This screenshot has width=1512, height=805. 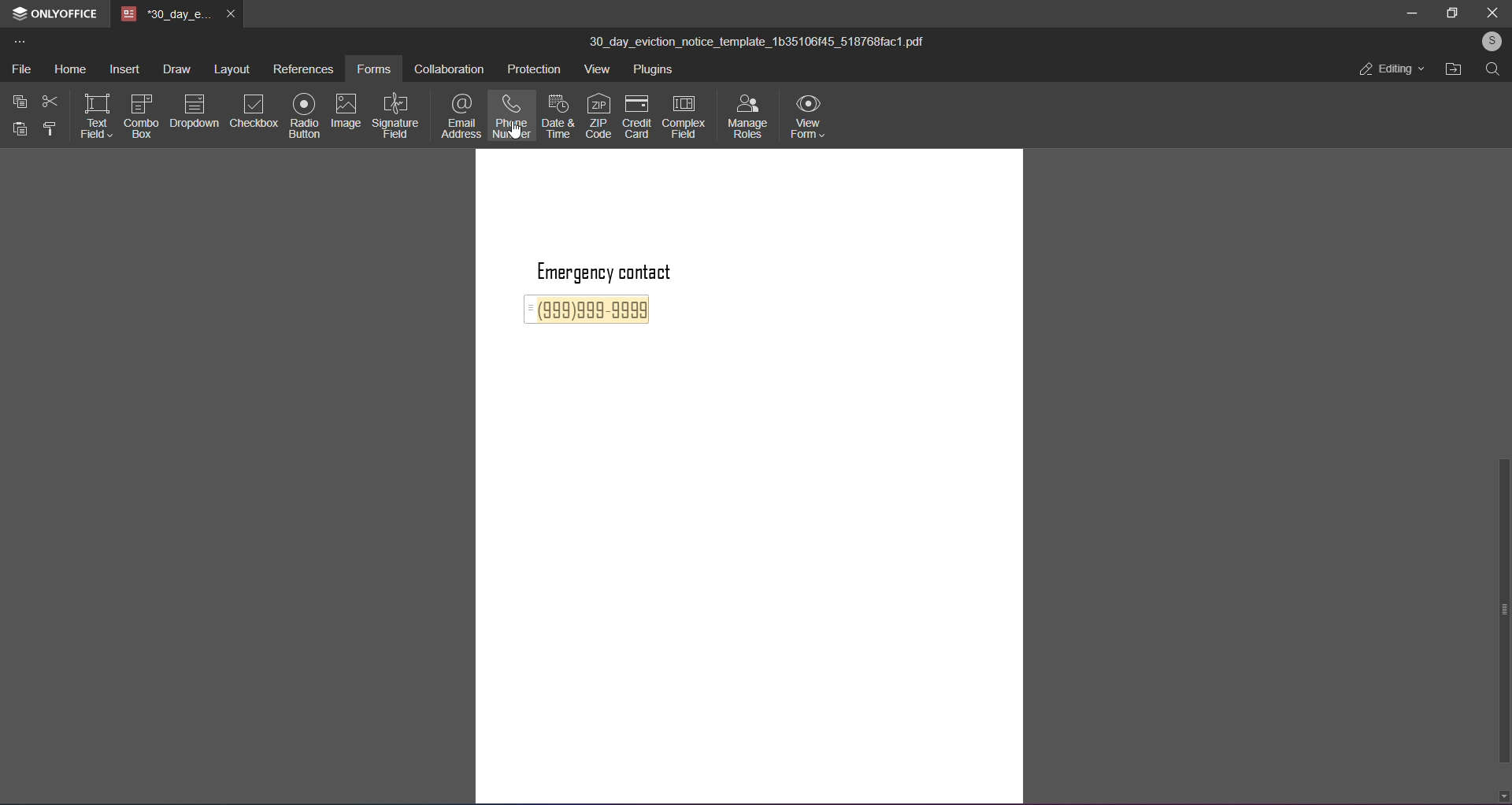 What do you see at coordinates (1492, 13) in the screenshot?
I see `close` at bounding box center [1492, 13].